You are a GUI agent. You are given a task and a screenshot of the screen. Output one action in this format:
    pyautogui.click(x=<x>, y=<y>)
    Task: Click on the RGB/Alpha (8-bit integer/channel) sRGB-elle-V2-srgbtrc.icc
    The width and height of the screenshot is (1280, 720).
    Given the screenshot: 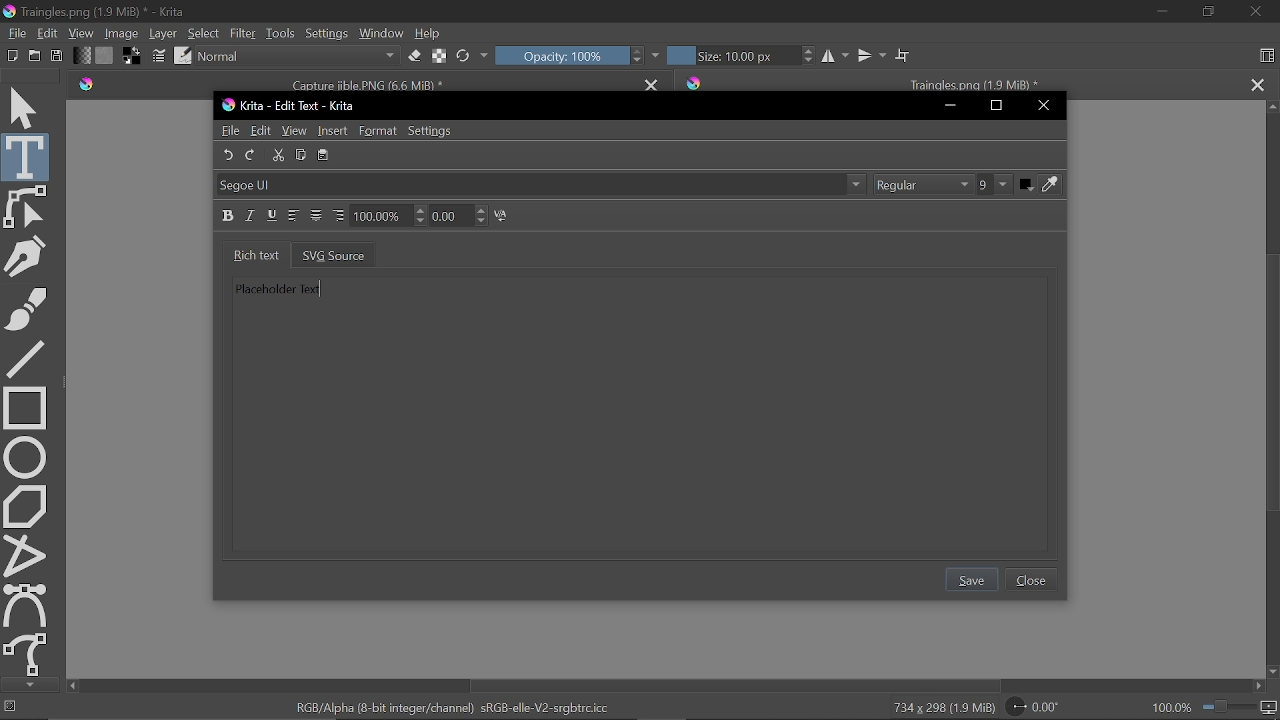 What is the action you would take?
    pyautogui.click(x=452, y=707)
    